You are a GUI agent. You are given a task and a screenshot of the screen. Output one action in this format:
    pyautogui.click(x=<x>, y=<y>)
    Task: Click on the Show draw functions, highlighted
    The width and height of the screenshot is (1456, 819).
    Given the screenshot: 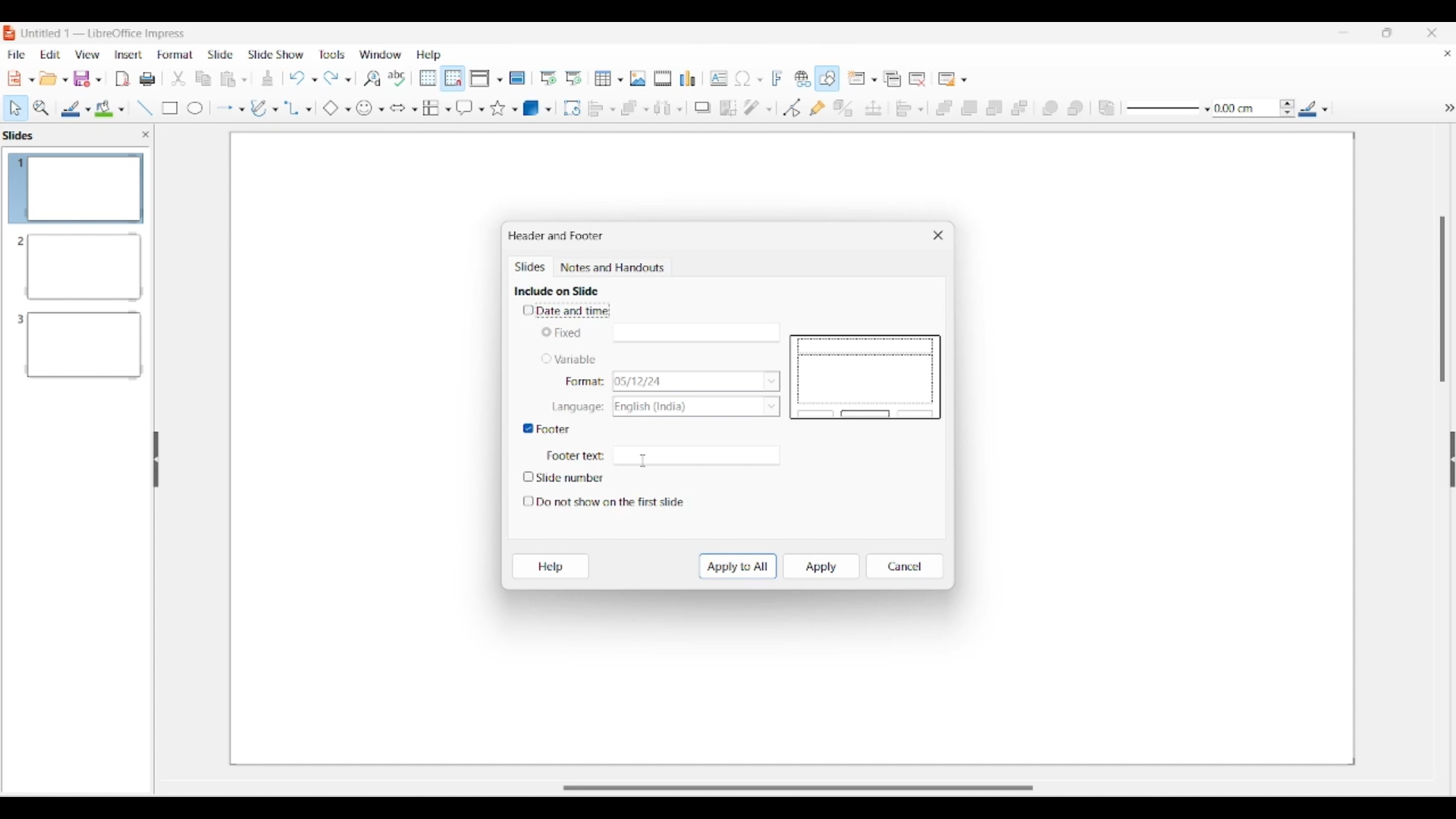 What is the action you would take?
    pyautogui.click(x=826, y=78)
    